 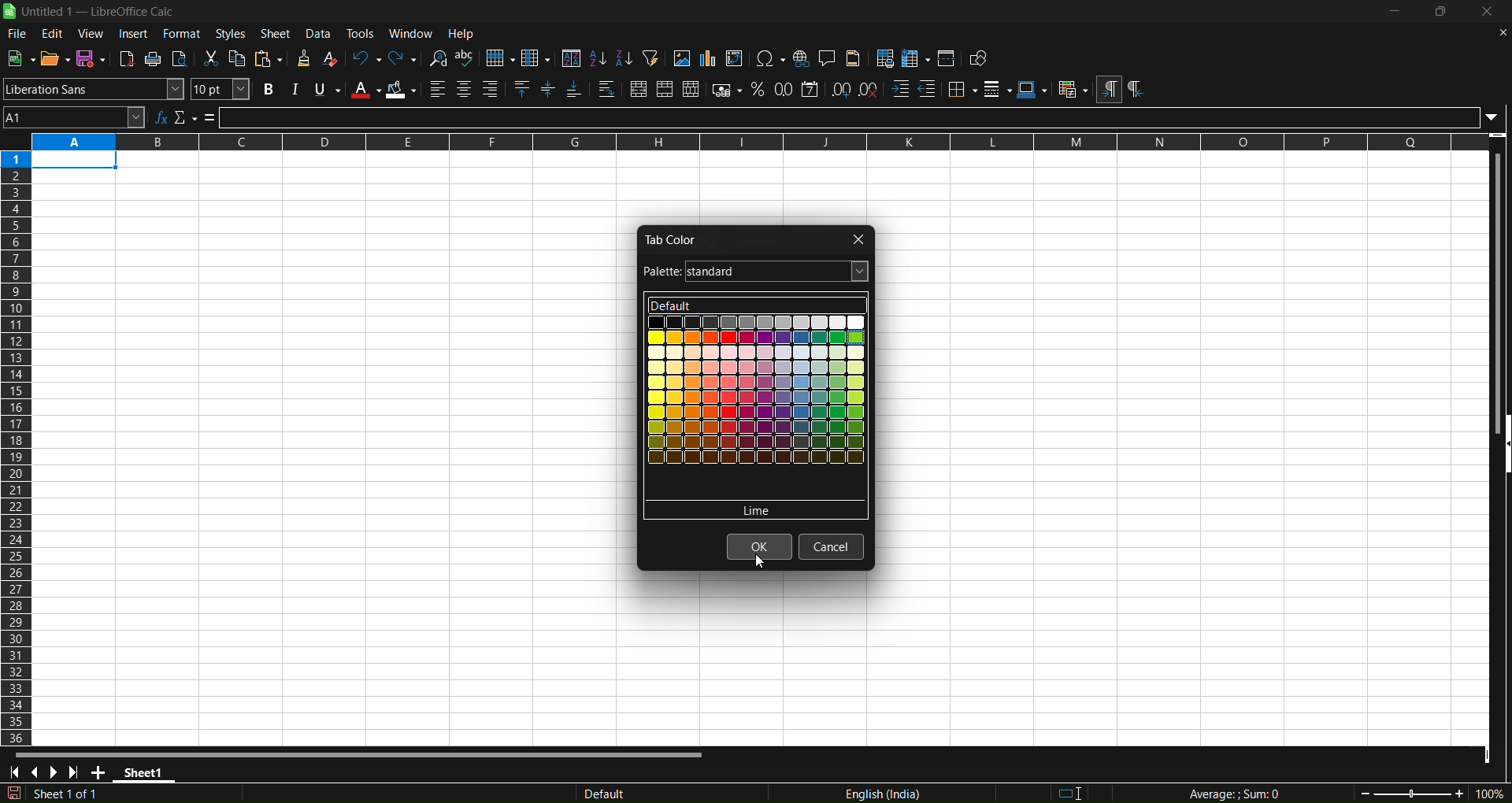 I want to click on insert comment, so click(x=827, y=57).